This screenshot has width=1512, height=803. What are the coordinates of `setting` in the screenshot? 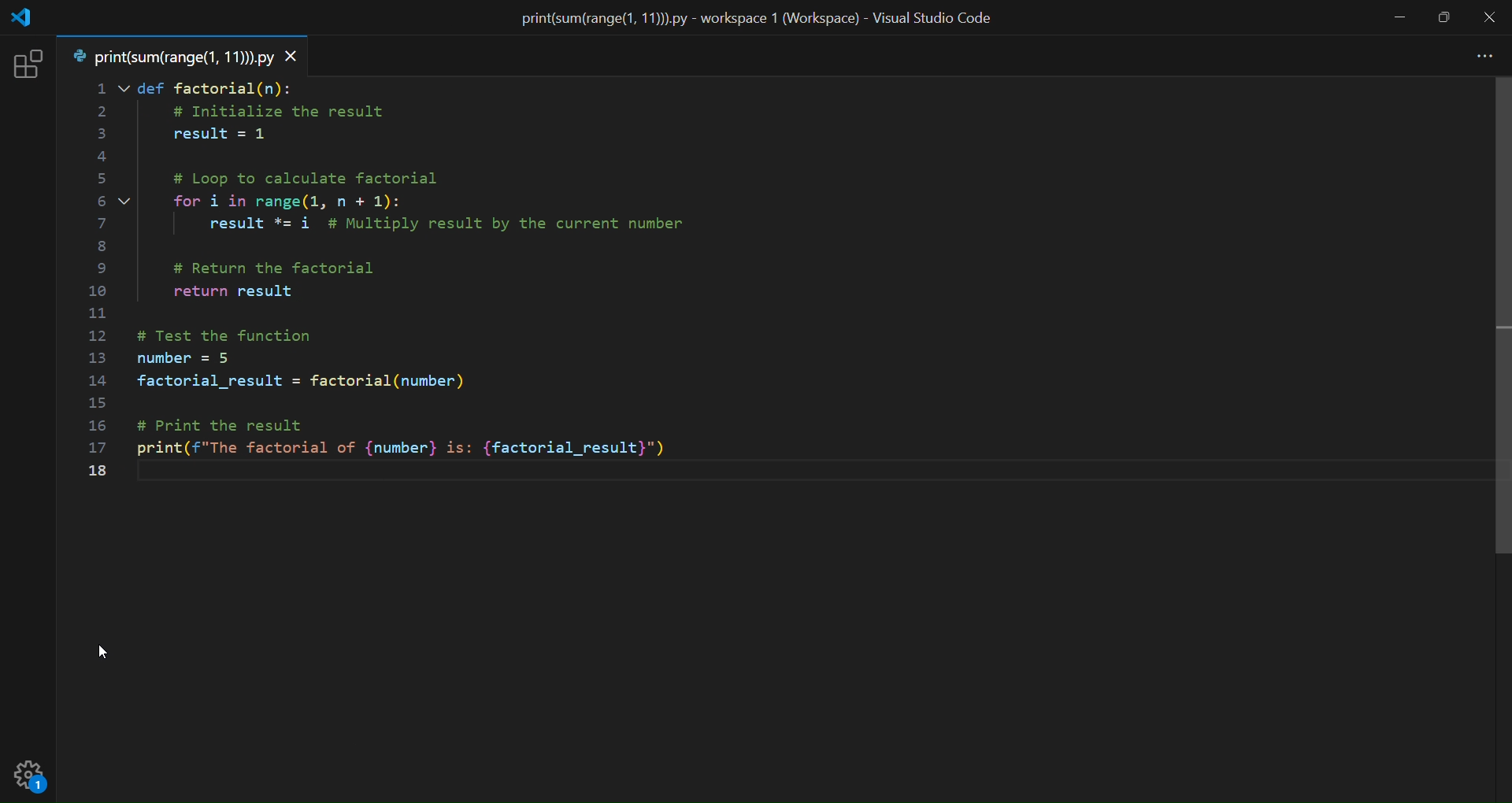 It's located at (28, 780).